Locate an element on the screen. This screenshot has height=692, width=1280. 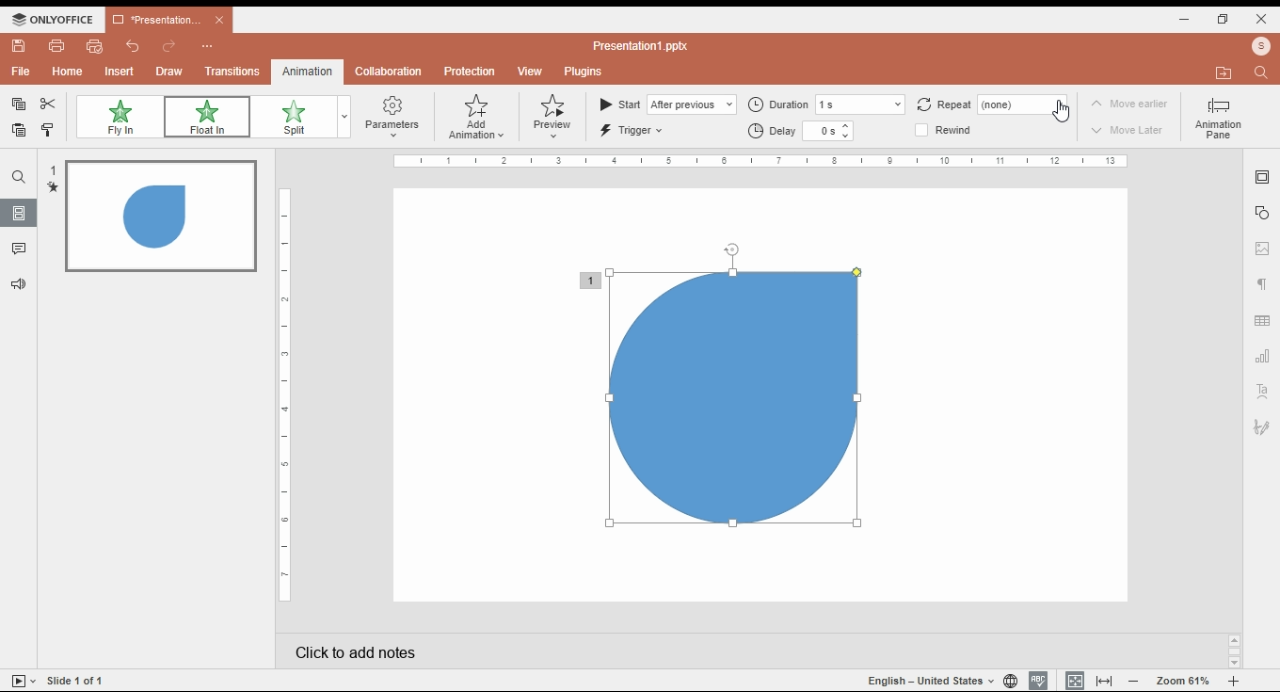
print file is located at coordinates (58, 46).